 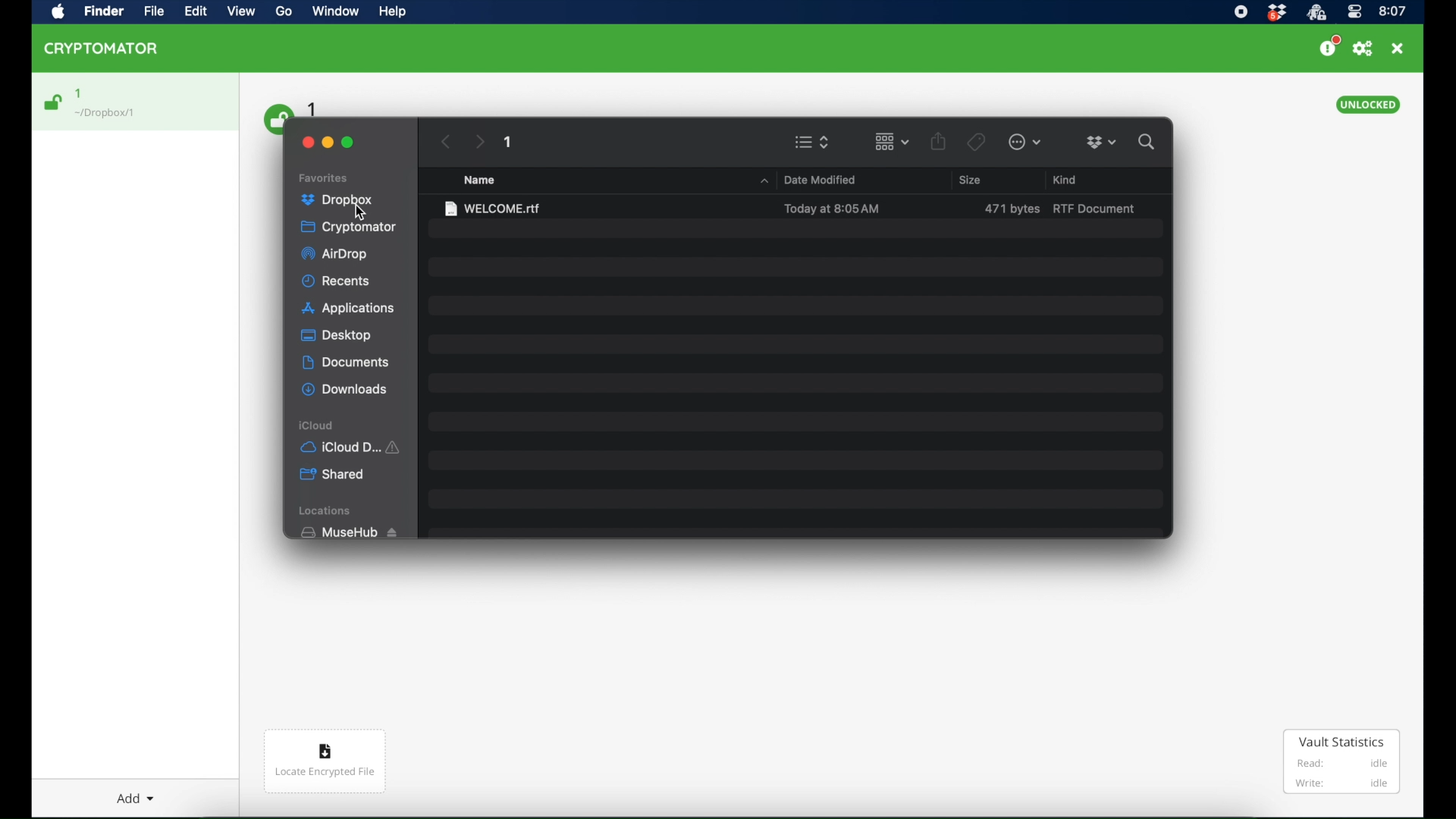 I want to click on musehub, so click(x=348, y=532).